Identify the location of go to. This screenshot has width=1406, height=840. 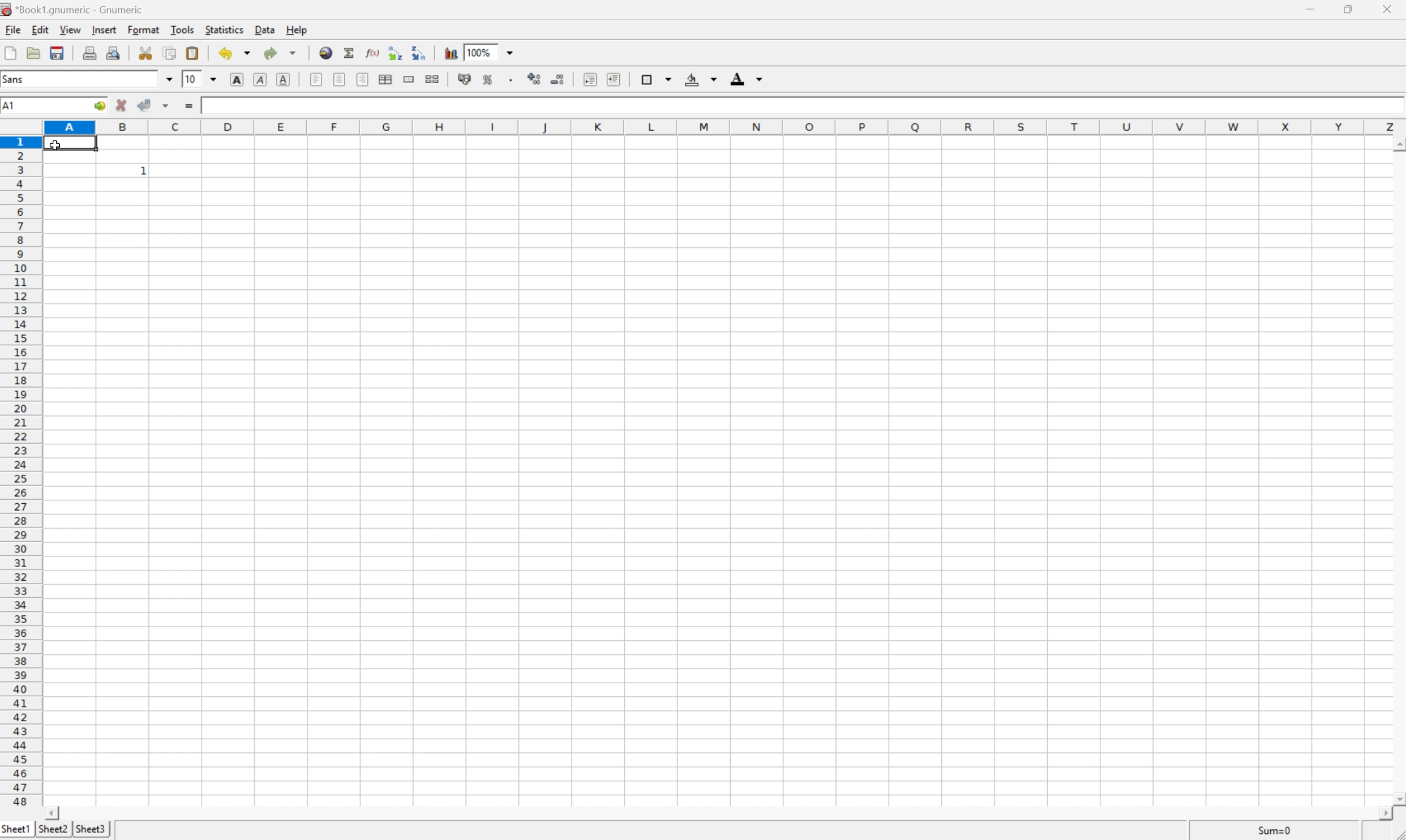
(100, 106).